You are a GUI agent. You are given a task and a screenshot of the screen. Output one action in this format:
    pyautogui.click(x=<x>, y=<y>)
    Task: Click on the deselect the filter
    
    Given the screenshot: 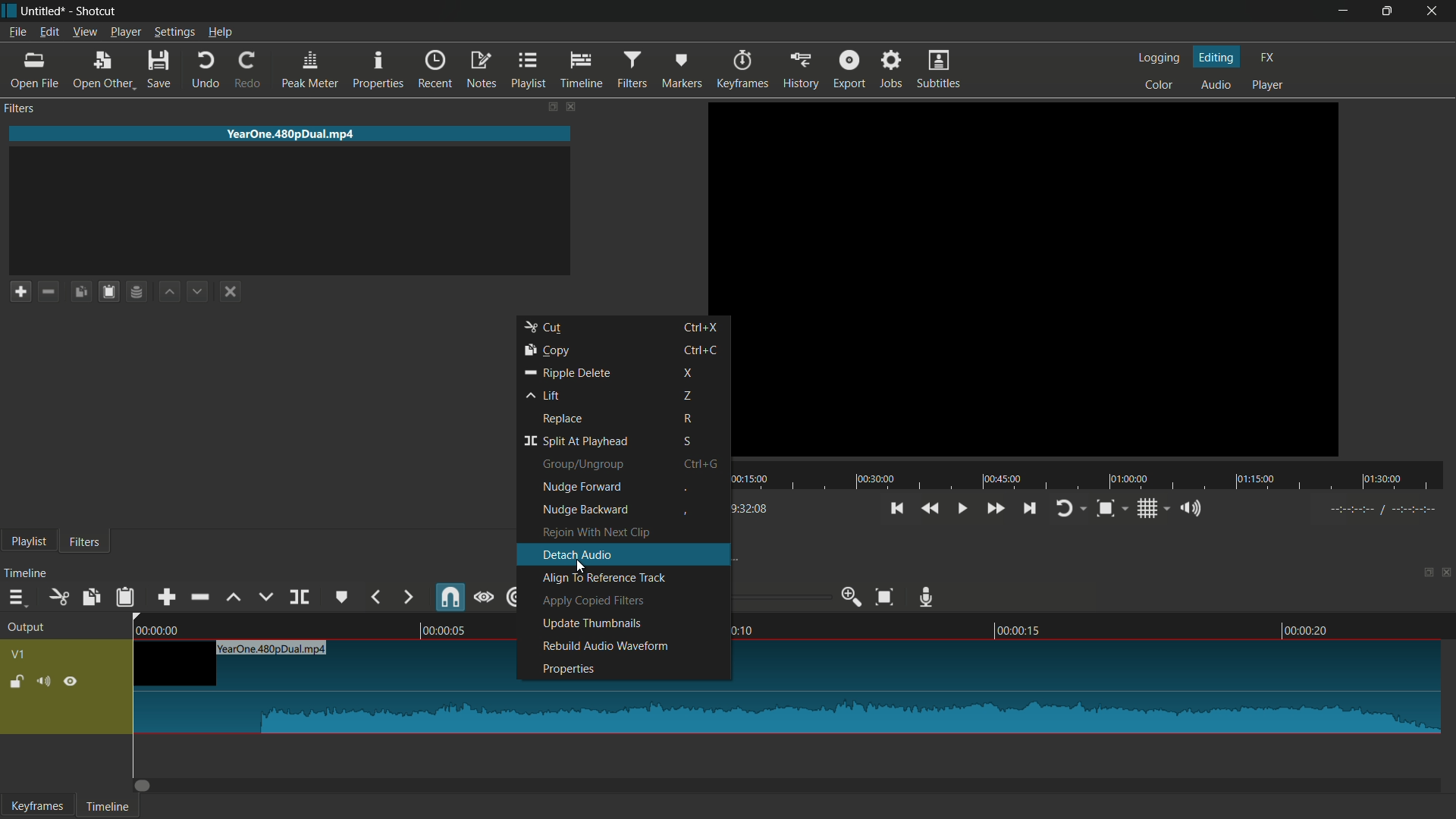 What is the action you would take?
    pyautogui.click(x=228, y=293)
    